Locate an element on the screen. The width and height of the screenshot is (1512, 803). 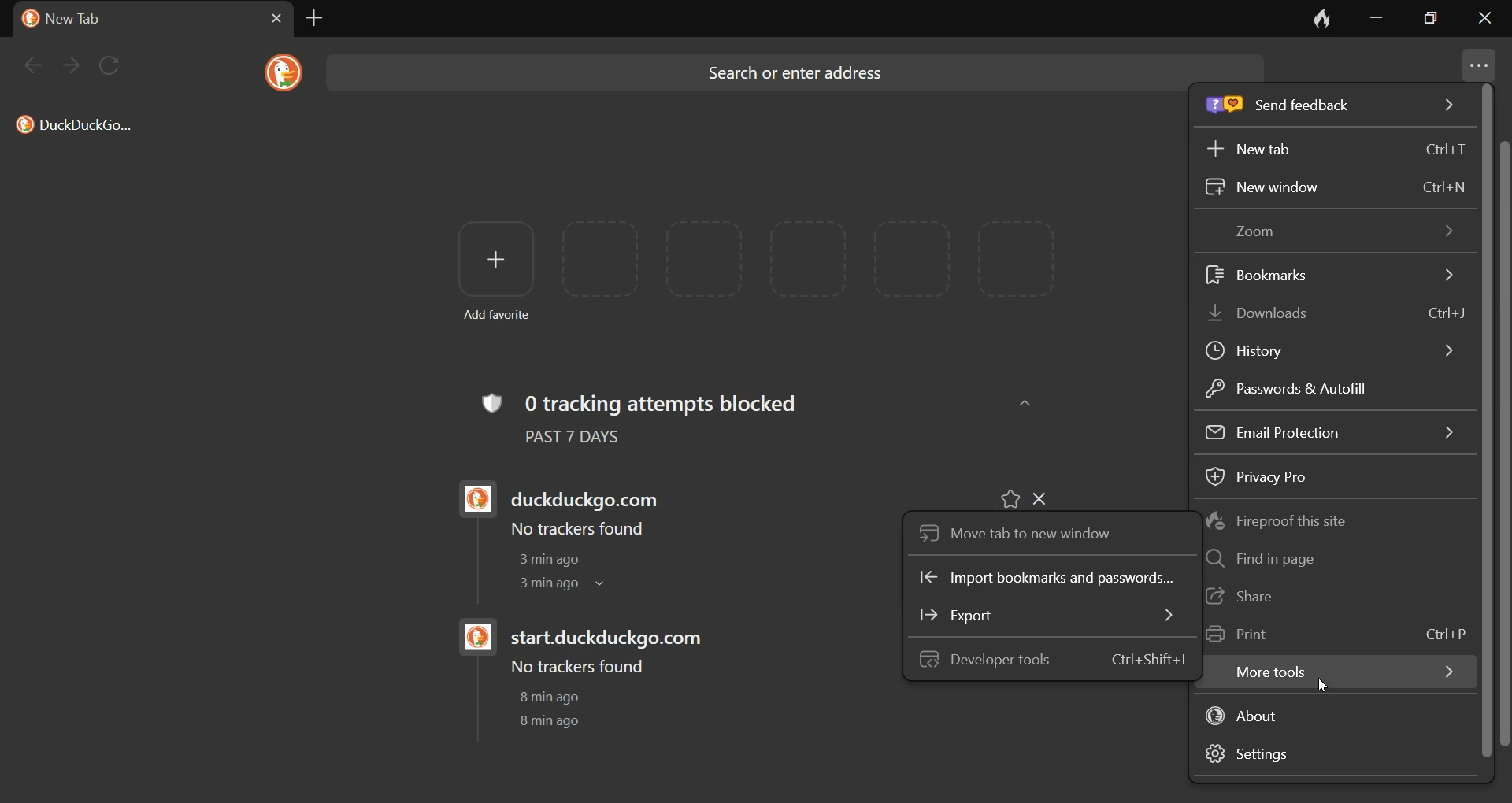
refresh is located at coordinates (112, 61).